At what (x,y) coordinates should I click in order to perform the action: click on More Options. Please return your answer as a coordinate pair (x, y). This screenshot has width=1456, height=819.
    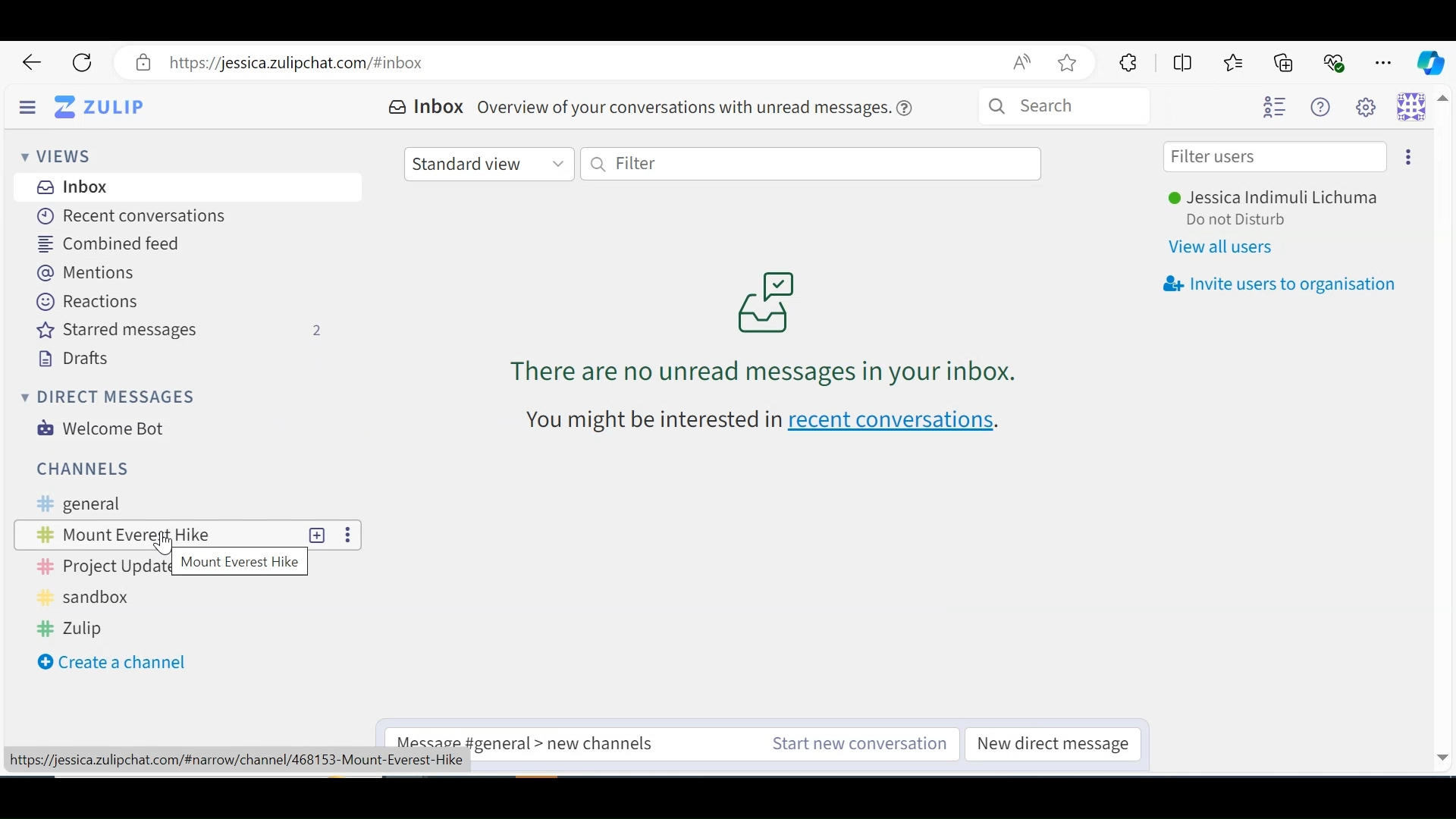
    Looking at the image, I should click on (348, 535).